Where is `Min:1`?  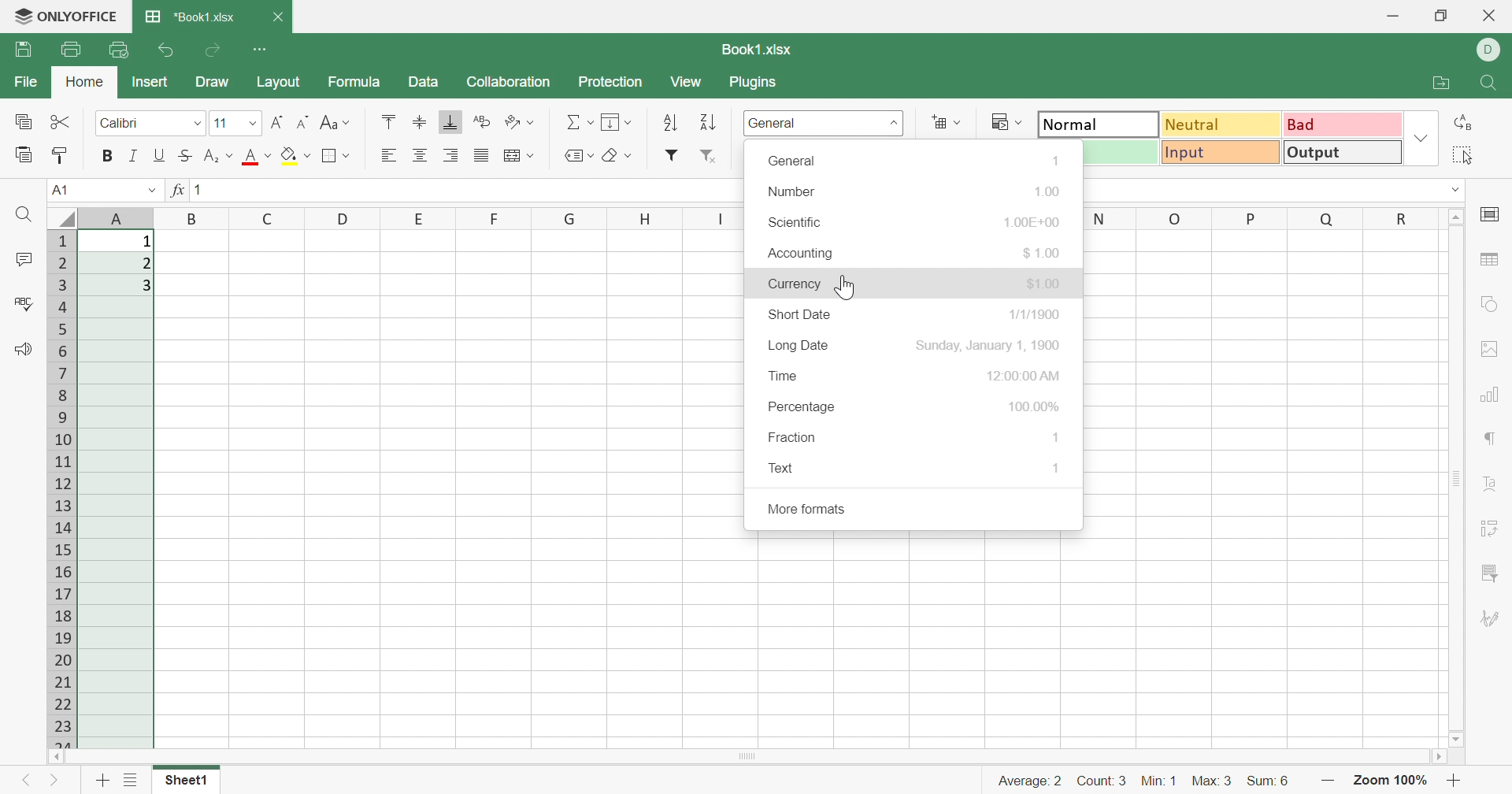
Min:1 is located at coordinates (1158, 781).